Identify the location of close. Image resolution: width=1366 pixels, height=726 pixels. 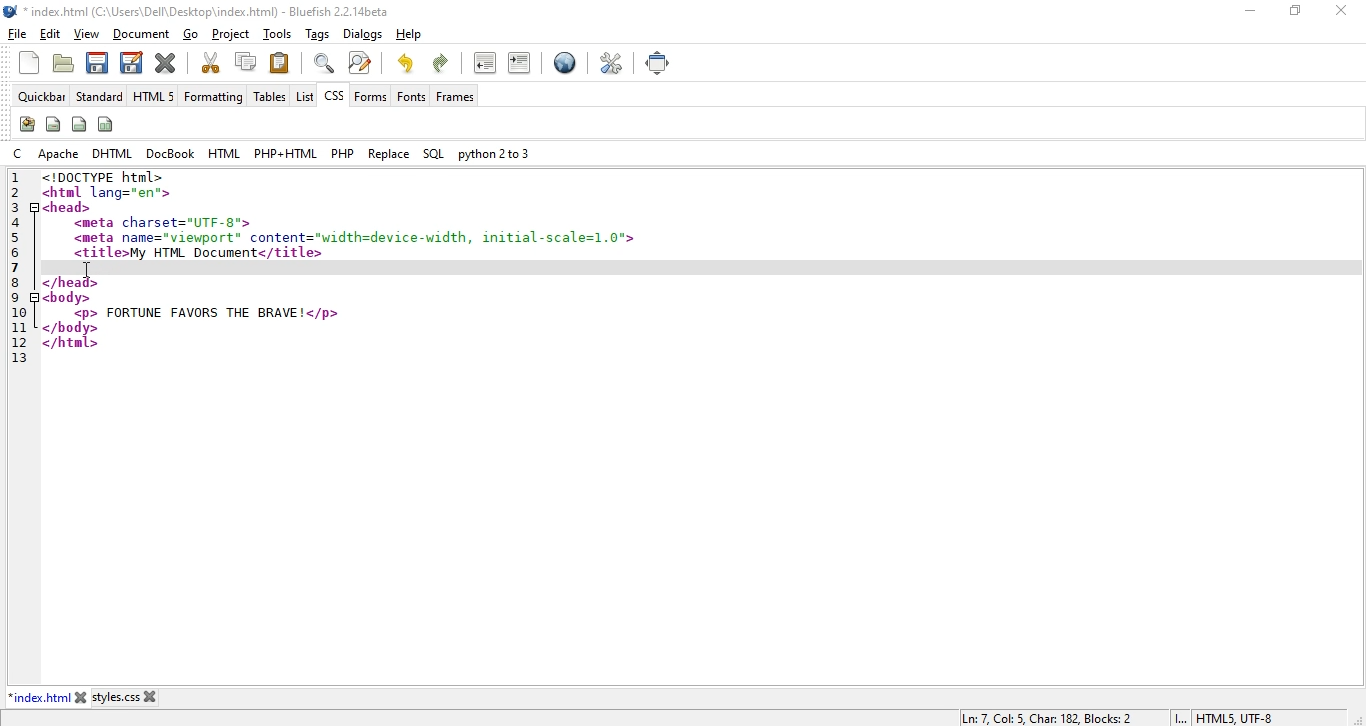
(81, 697).